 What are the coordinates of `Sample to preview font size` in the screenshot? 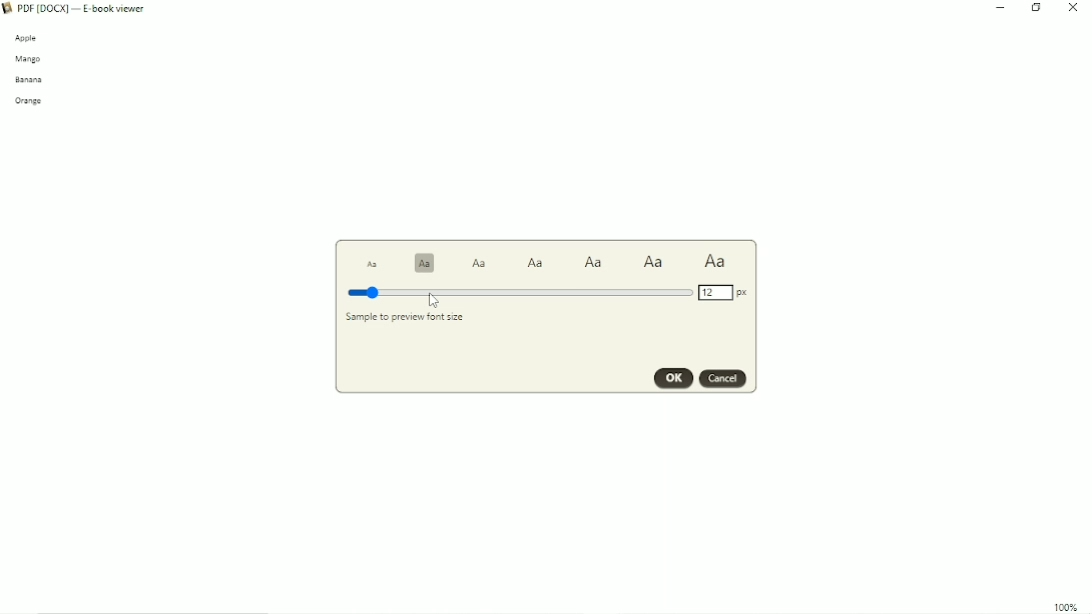 It's located at (405, 318).